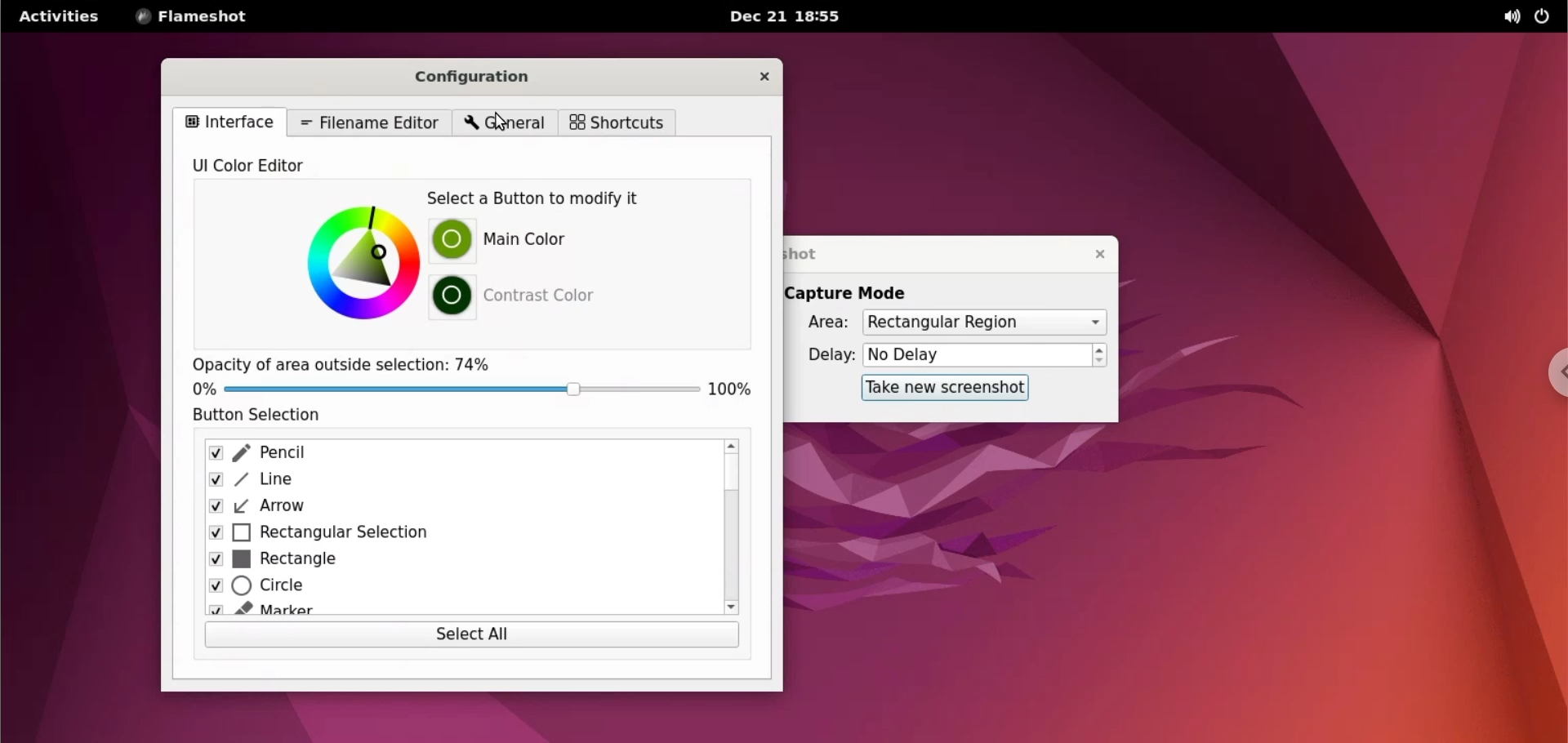  I want to click on capture mode, so click(851, 293).